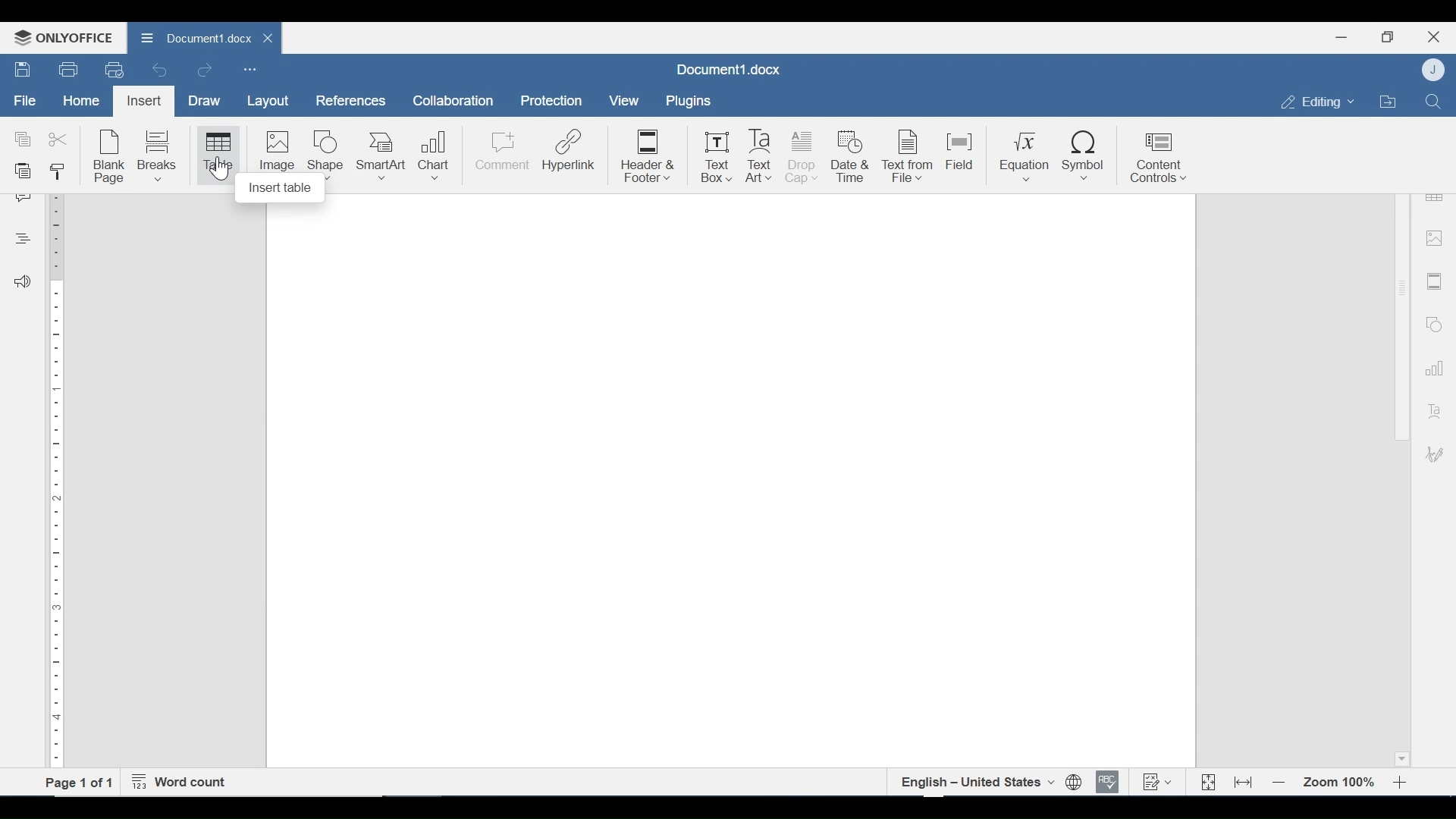 This screenshot has height=819, width=1456. I want to click on Hyperlink, so click(571, 158).